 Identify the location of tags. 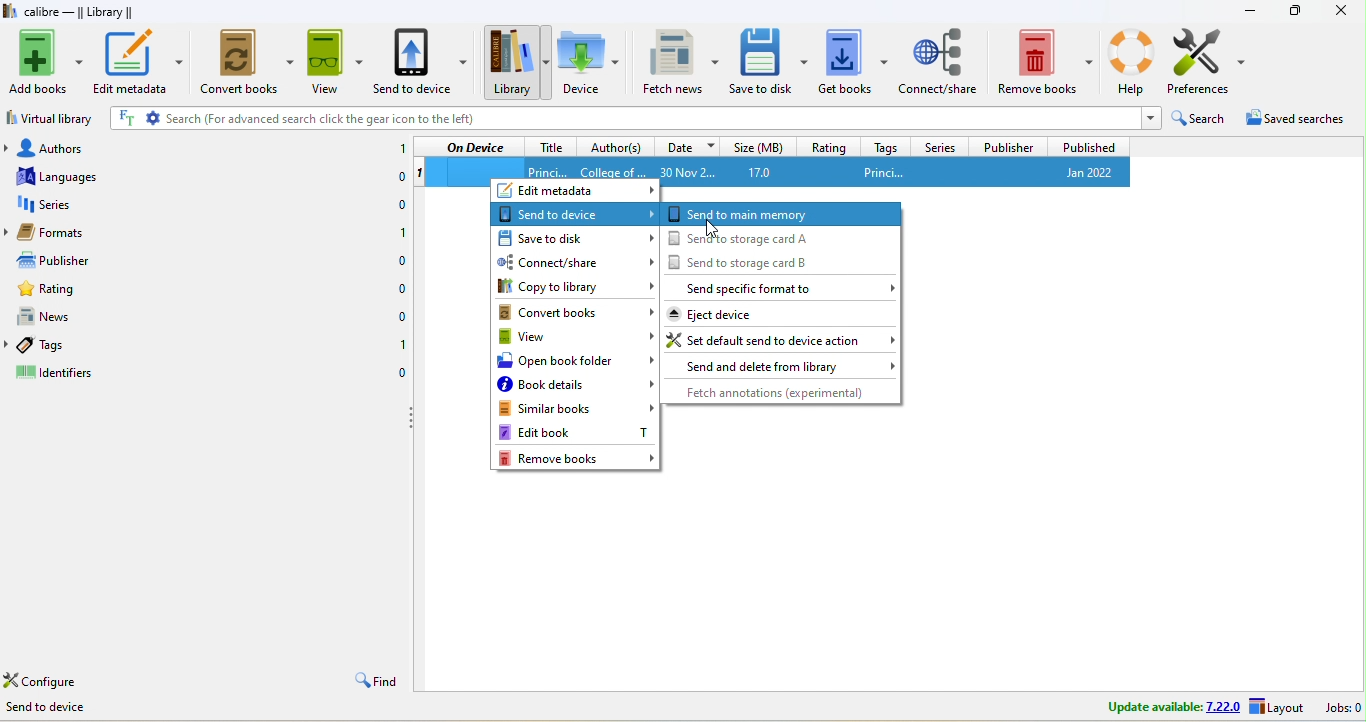
(63, 343).